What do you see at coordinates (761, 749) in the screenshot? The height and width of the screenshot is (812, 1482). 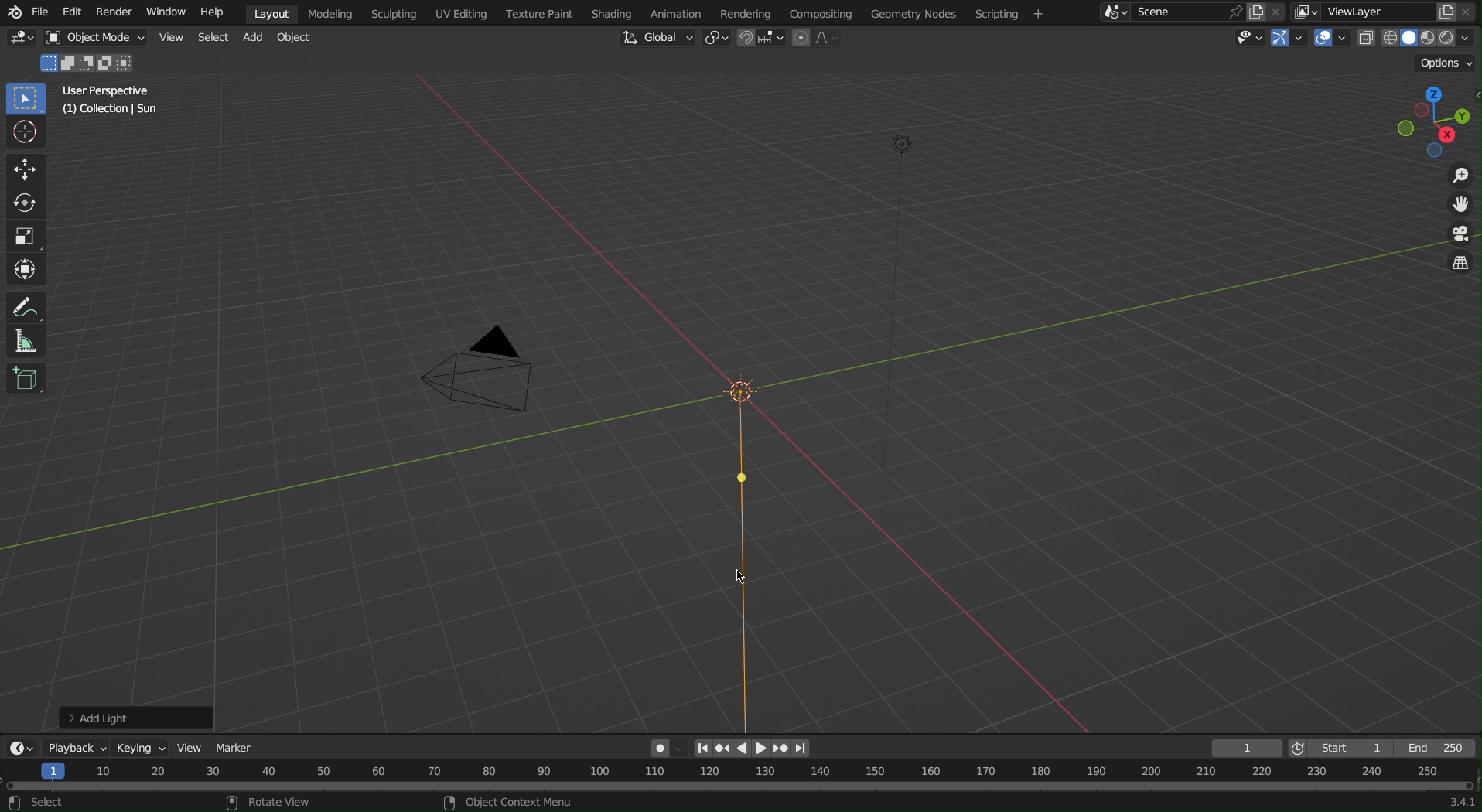 I see `play` at bounding box center [761, 749].